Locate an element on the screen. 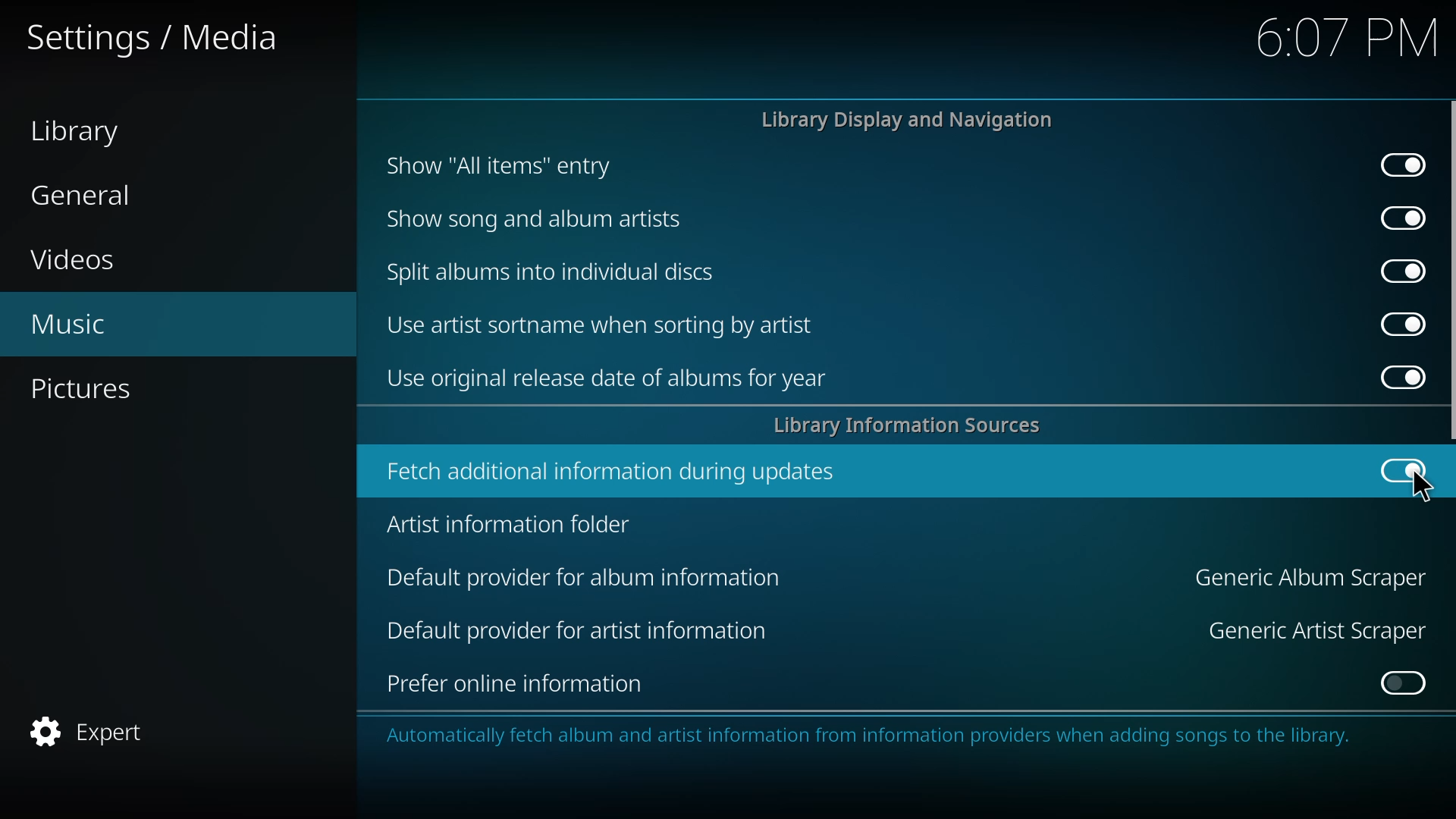 This screenshot has height=819, width=1456. enabled is located at coordinates (1402, 376).